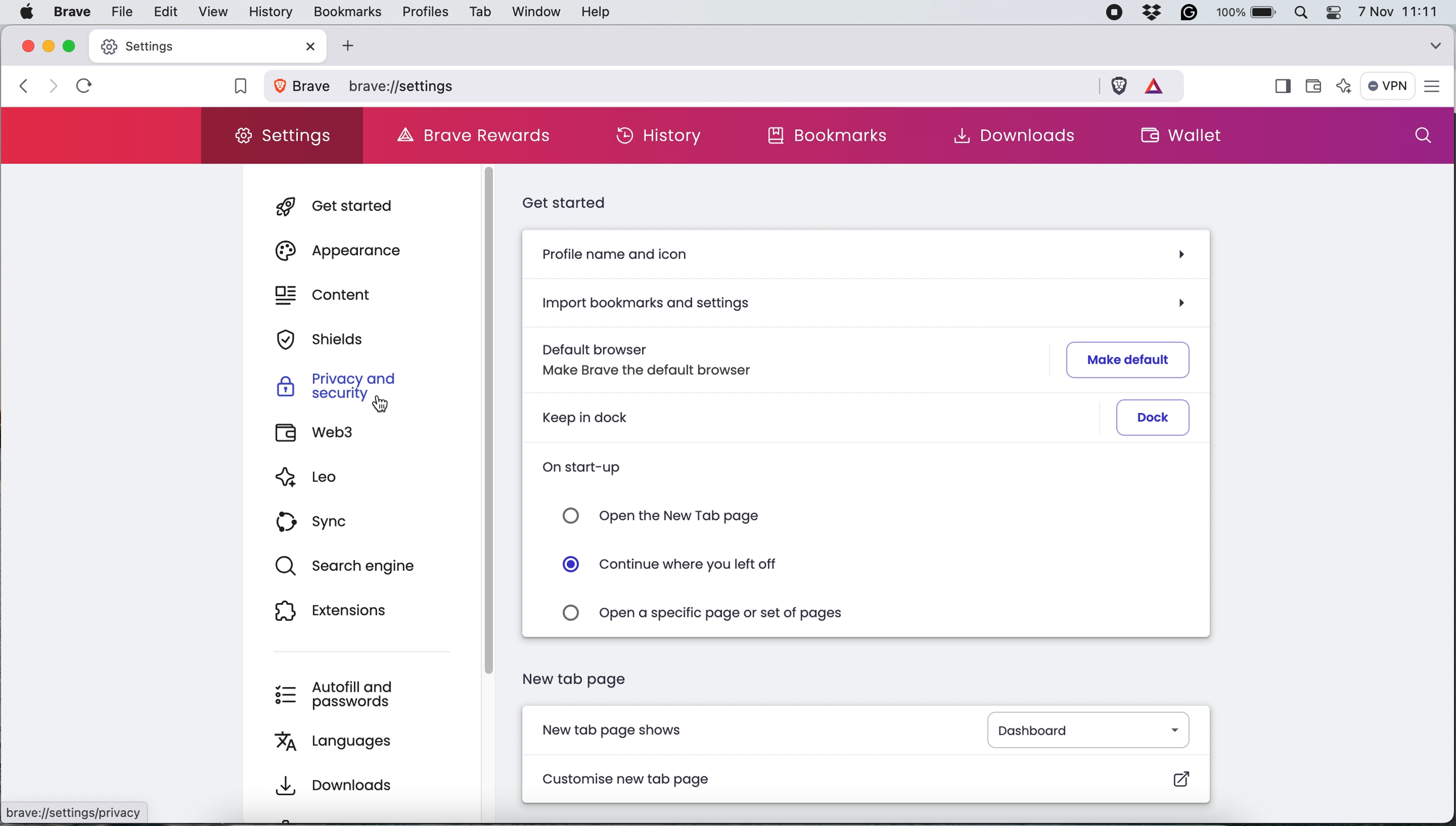  I want to click on keep in dock, so click(588, 419).